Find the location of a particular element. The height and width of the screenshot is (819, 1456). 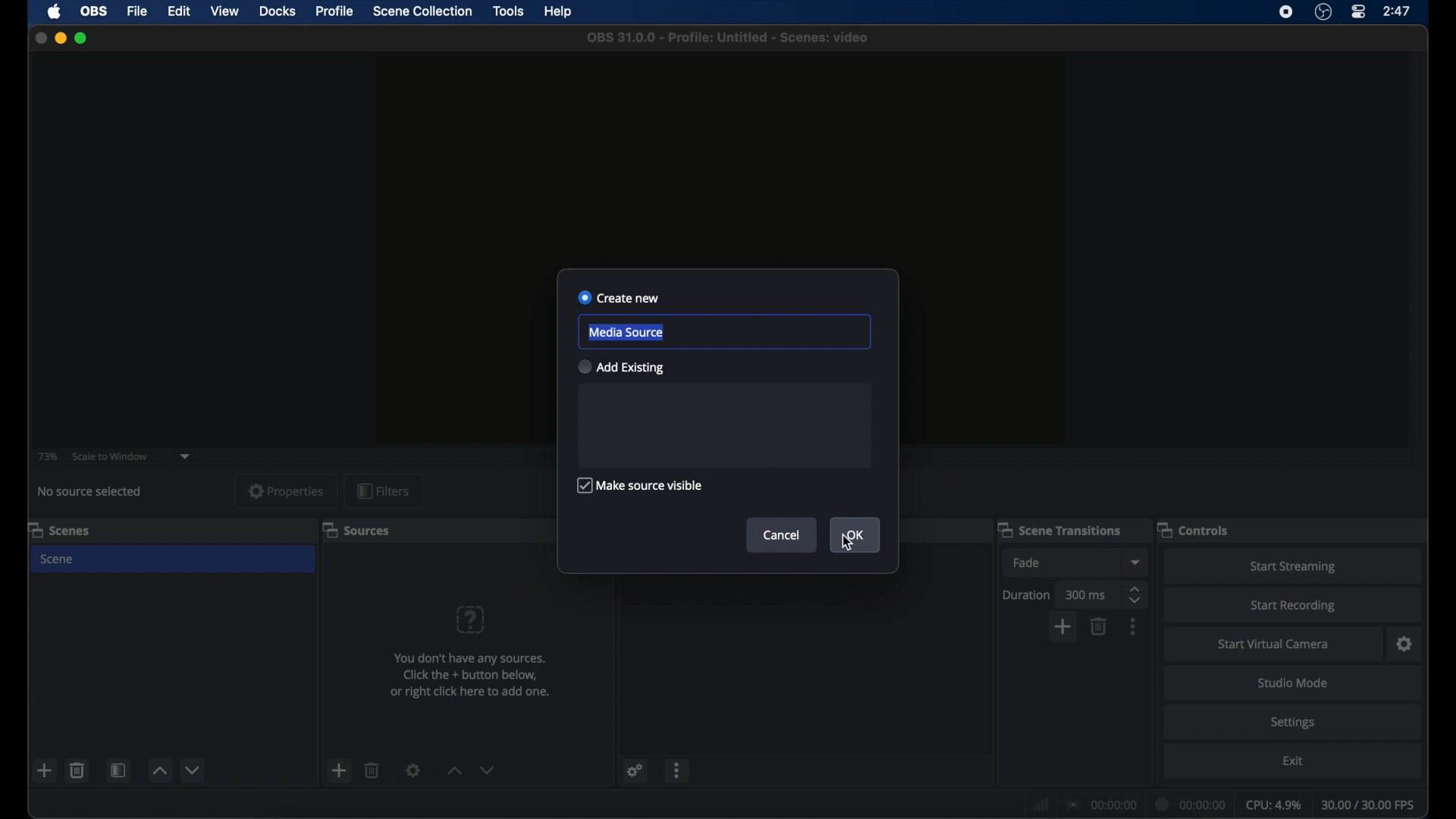

dropdown is located at coordinates (1137, 562).